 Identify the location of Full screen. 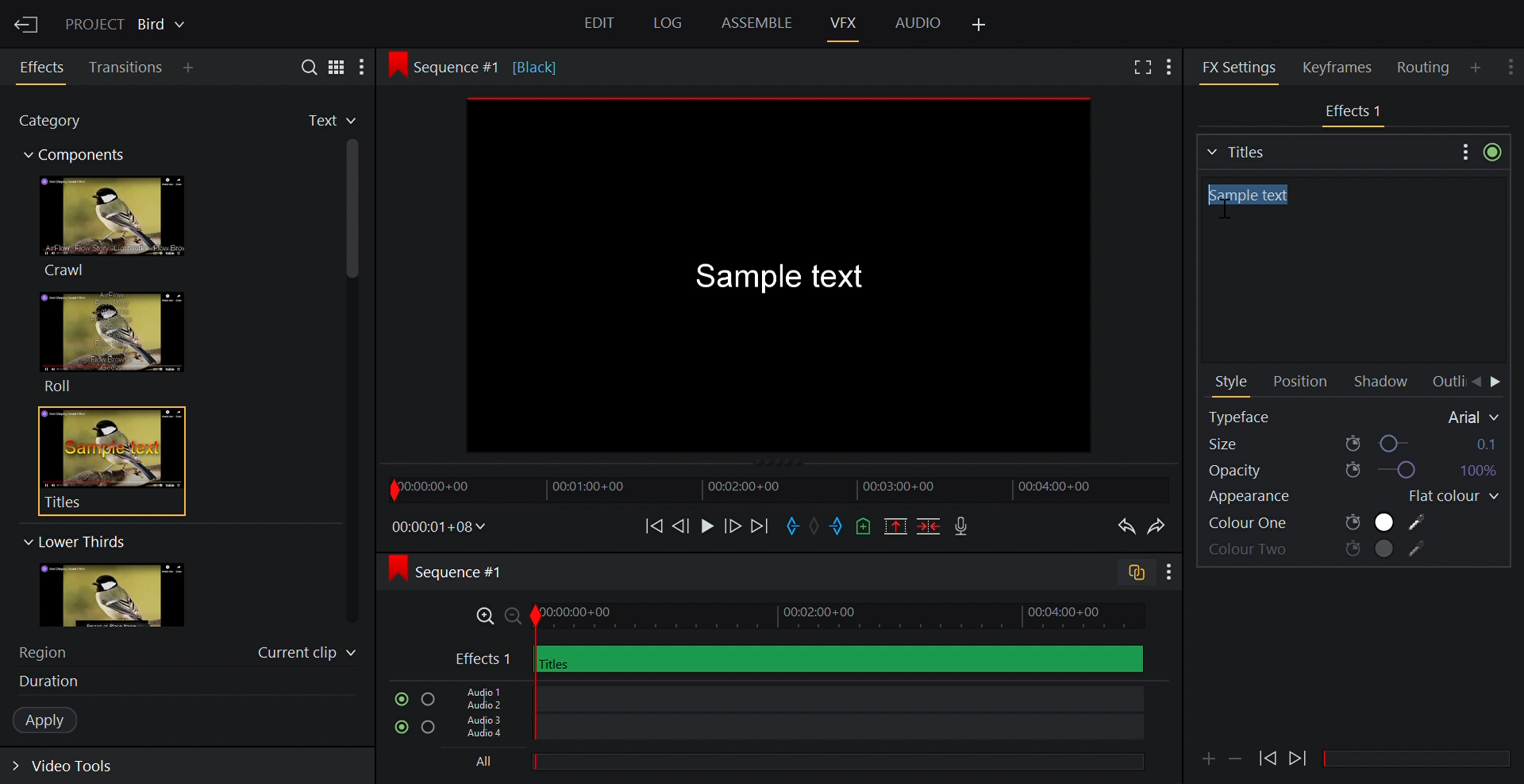
(1140, 68).